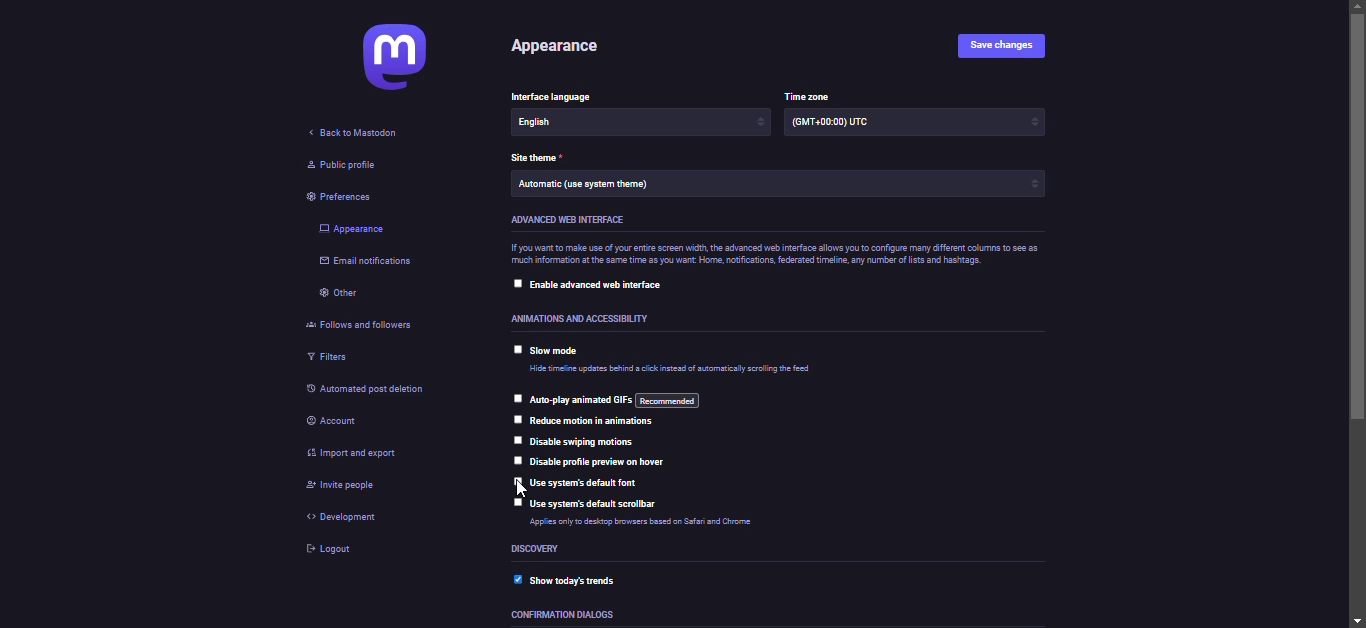 The image size is (1366, 628). I want to click on enabled, so click(509, 581).